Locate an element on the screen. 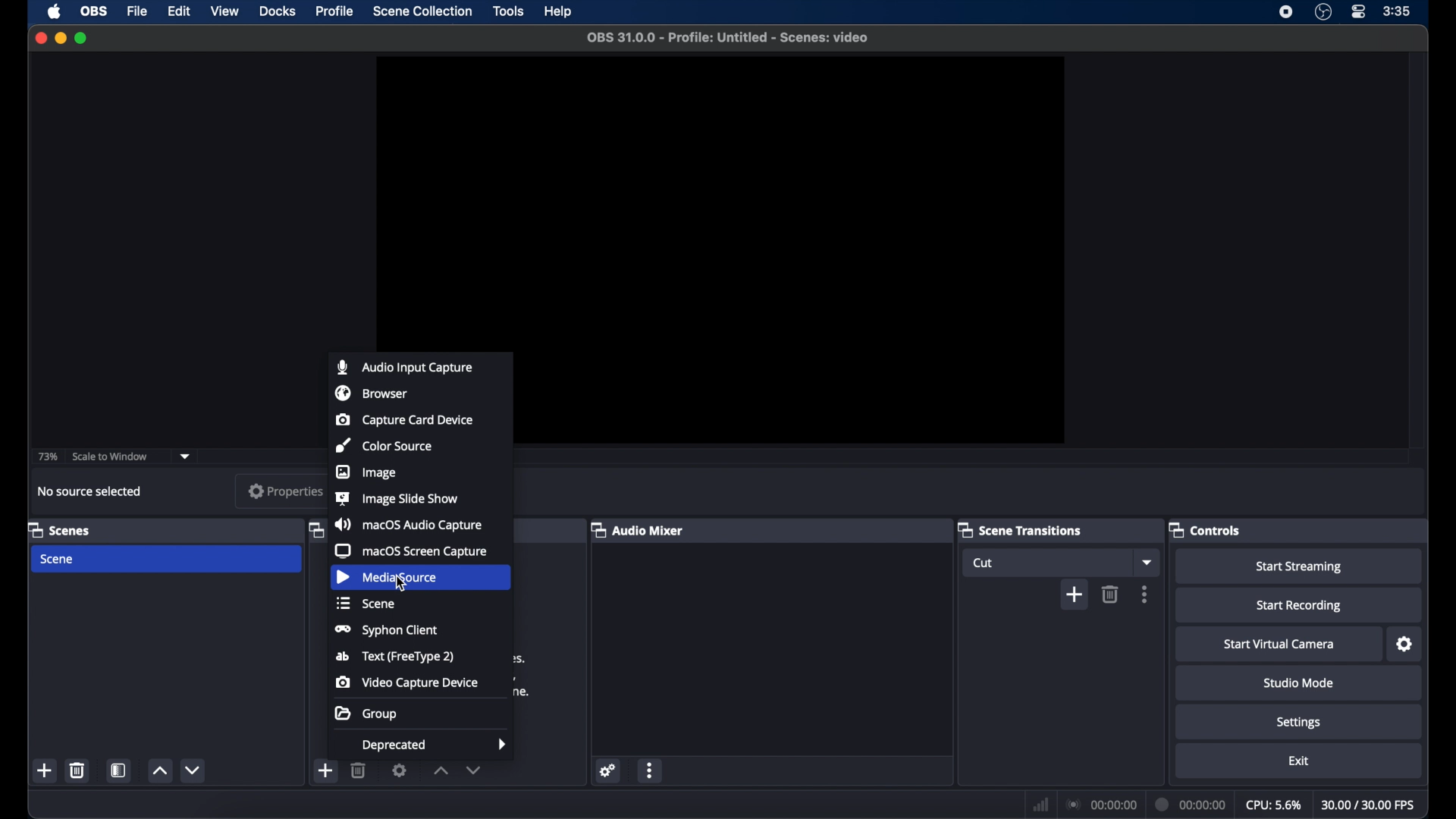 The width and height of the screenshot is (1456, 819). connection is located at coordinates (1100, 803).